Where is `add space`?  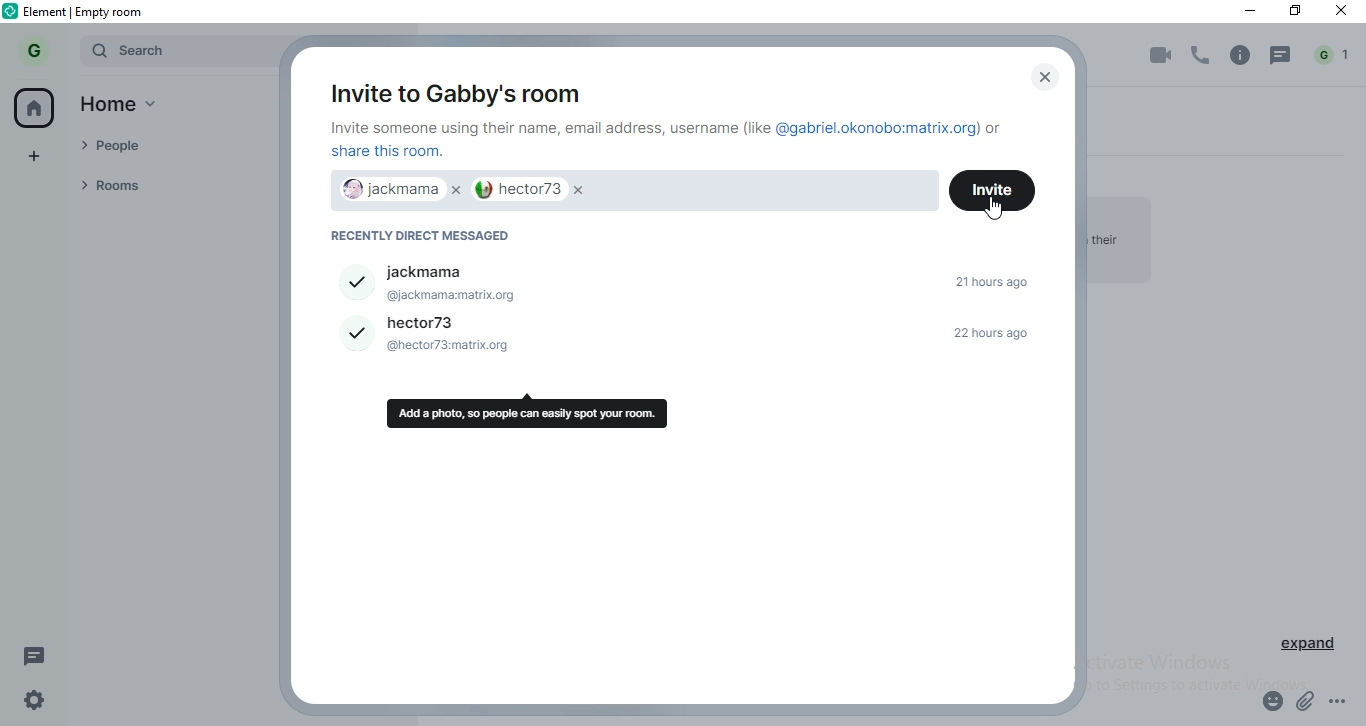 add space is located at coordinates (36, 153).